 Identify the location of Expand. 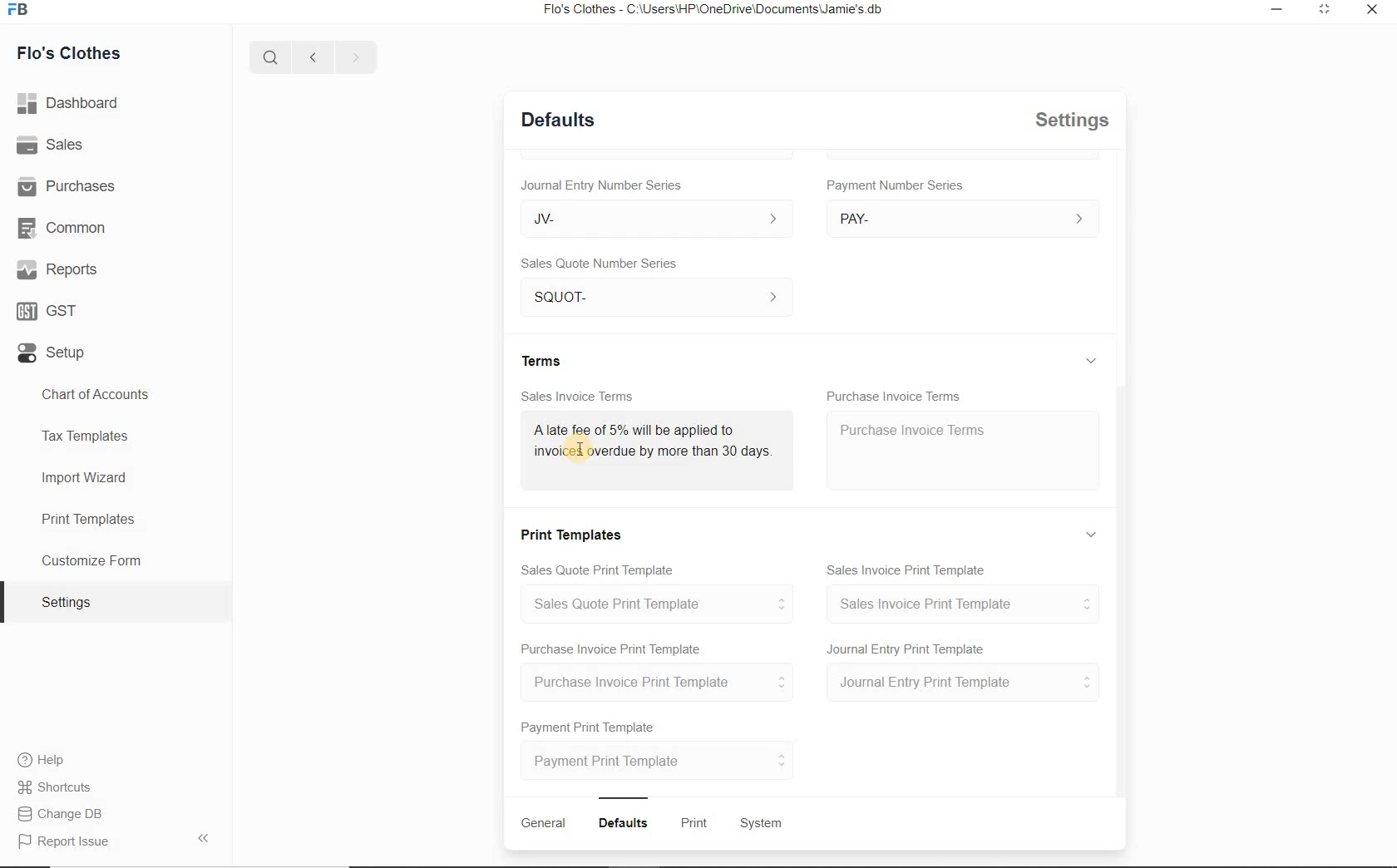
(1095, 170).